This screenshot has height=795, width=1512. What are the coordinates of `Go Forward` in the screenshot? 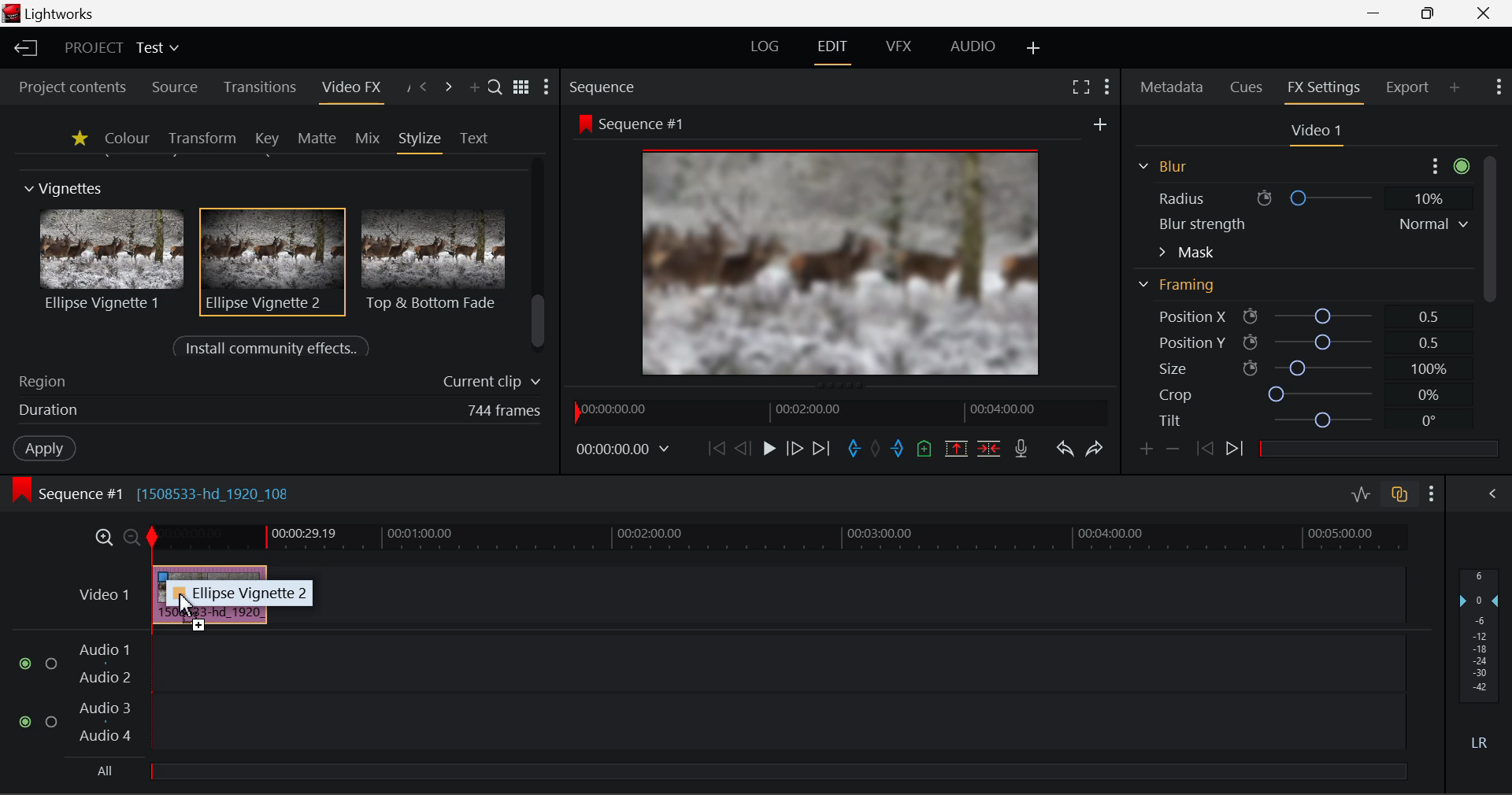 It's located at (795, 449).